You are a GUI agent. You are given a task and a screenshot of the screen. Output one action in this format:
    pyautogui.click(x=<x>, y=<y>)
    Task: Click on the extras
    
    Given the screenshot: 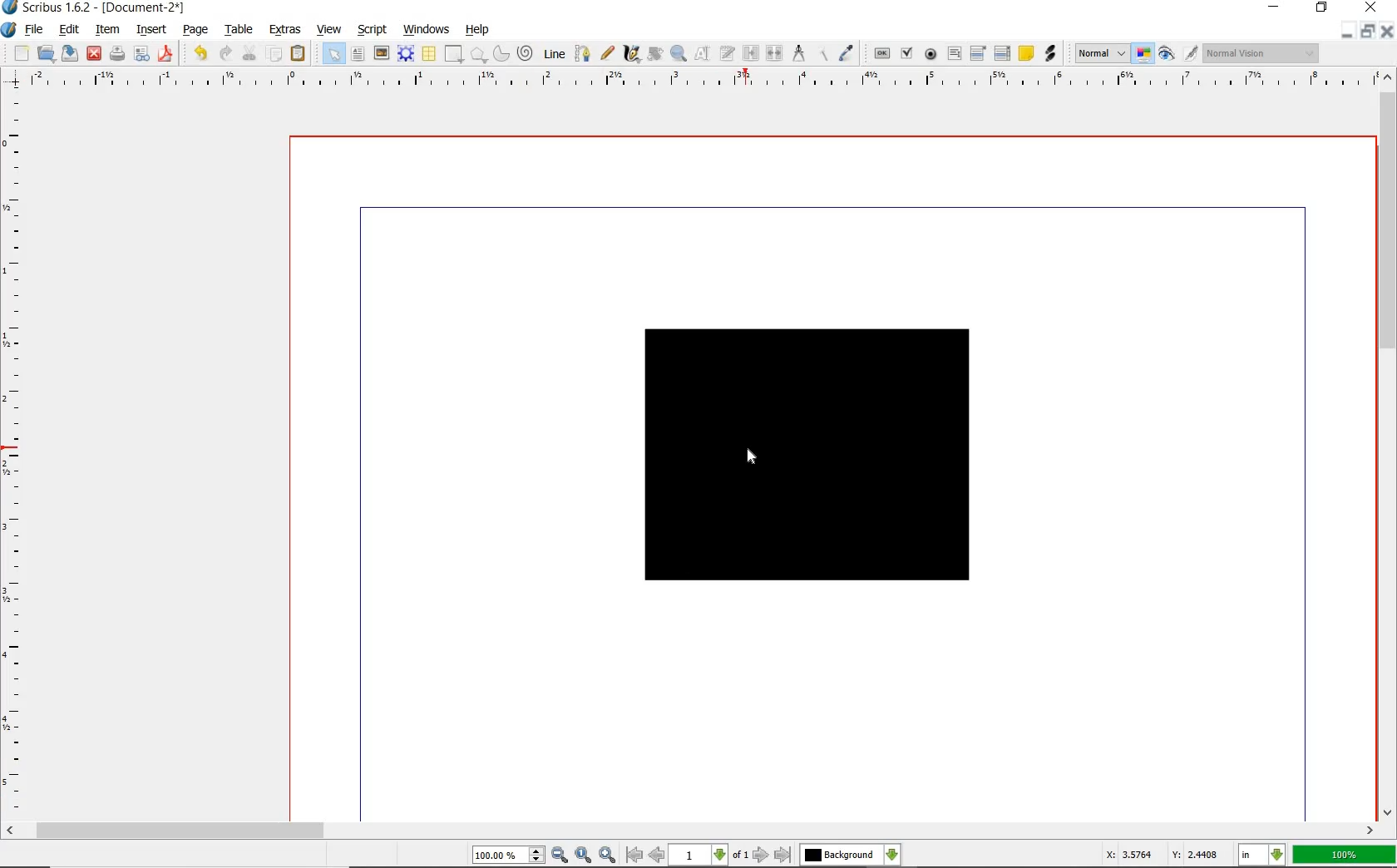 What is the action you would take?
    pyautogui.click(x=286, y=29)
    